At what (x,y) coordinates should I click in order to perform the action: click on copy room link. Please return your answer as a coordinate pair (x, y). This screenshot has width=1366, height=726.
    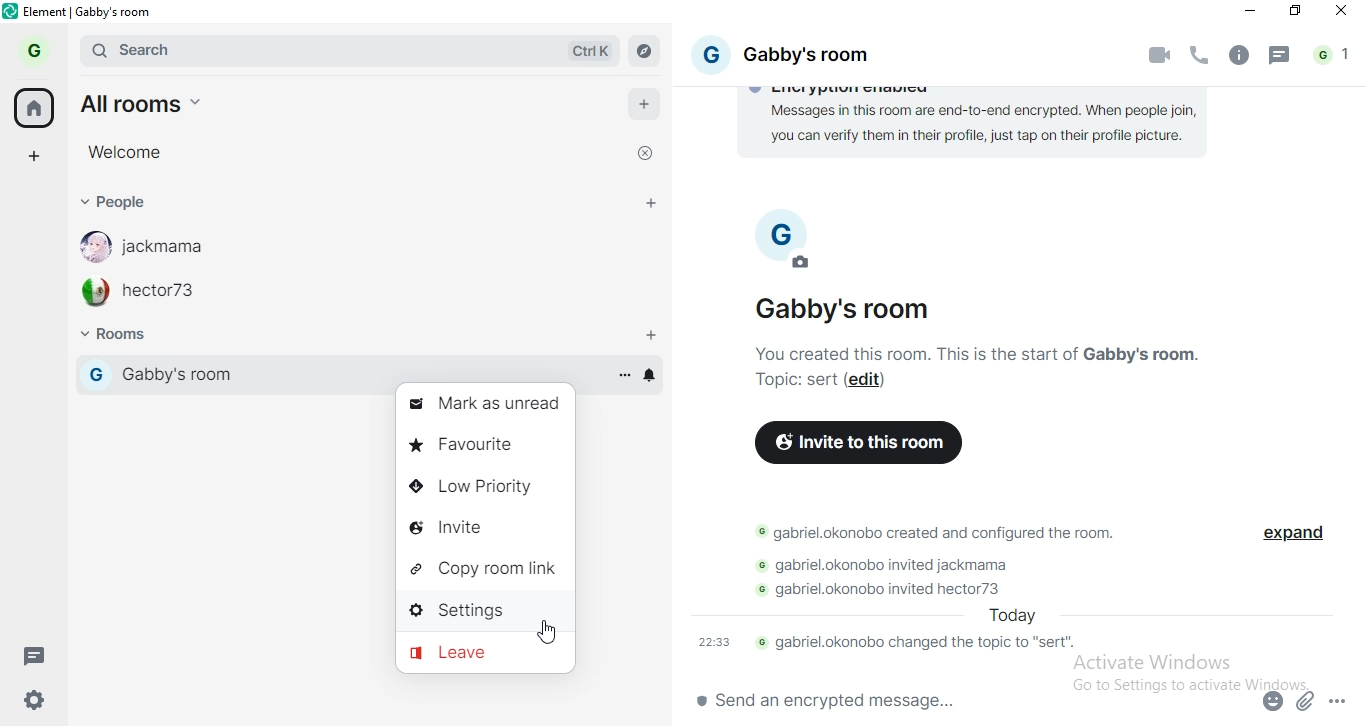
    Looking at the image, I should click on (485, 567).